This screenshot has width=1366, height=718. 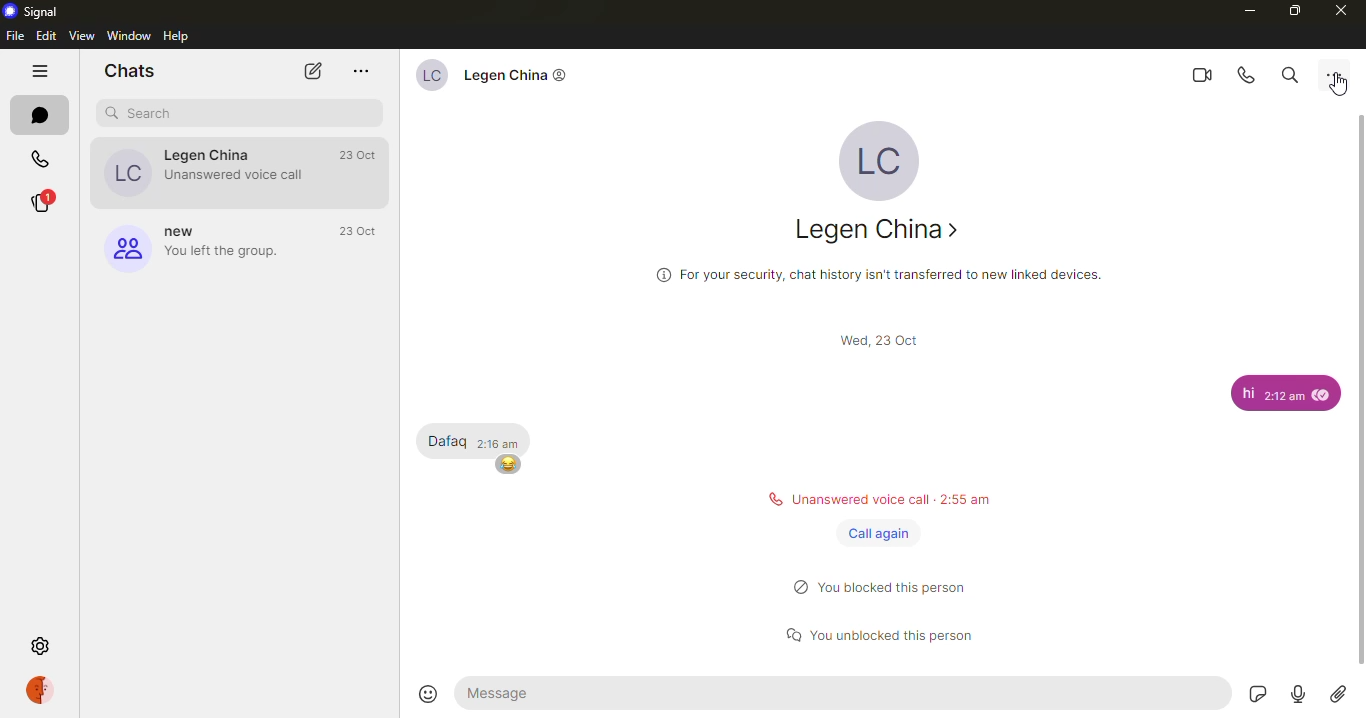 I want to click on emoji, so click(x=430, y=693).